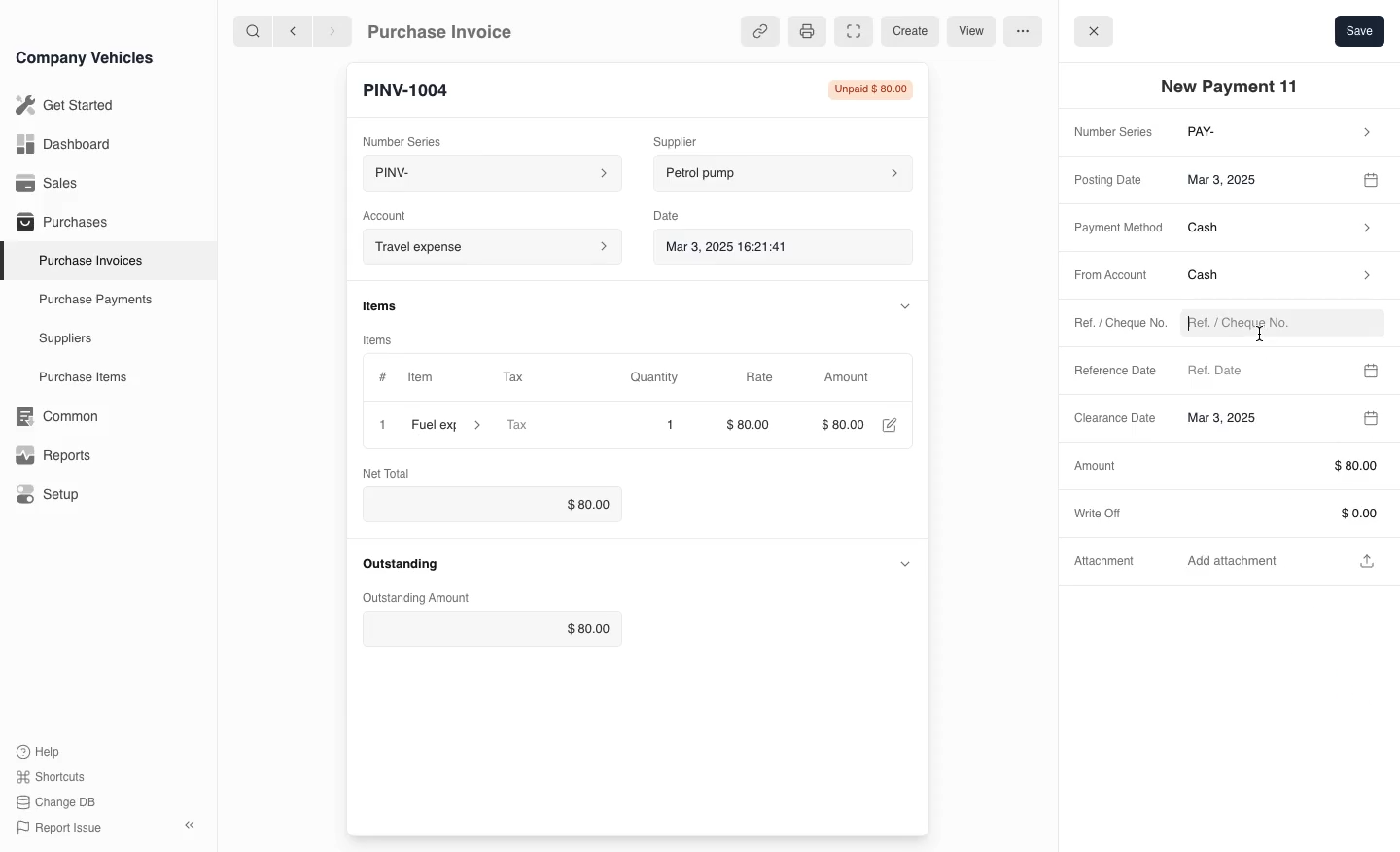  Describe the element at coordinates (549, 426) in the screenshot. I see `Tax ` at that location.